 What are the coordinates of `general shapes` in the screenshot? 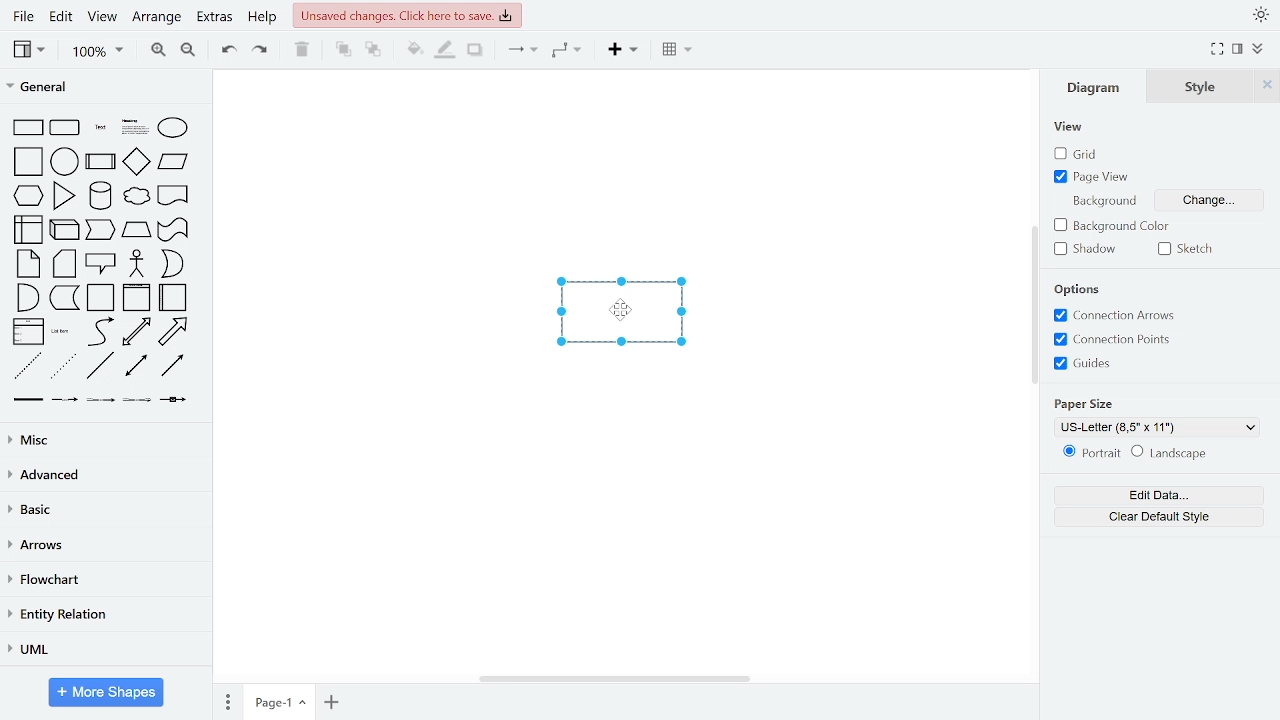 It's located at (26, 297).